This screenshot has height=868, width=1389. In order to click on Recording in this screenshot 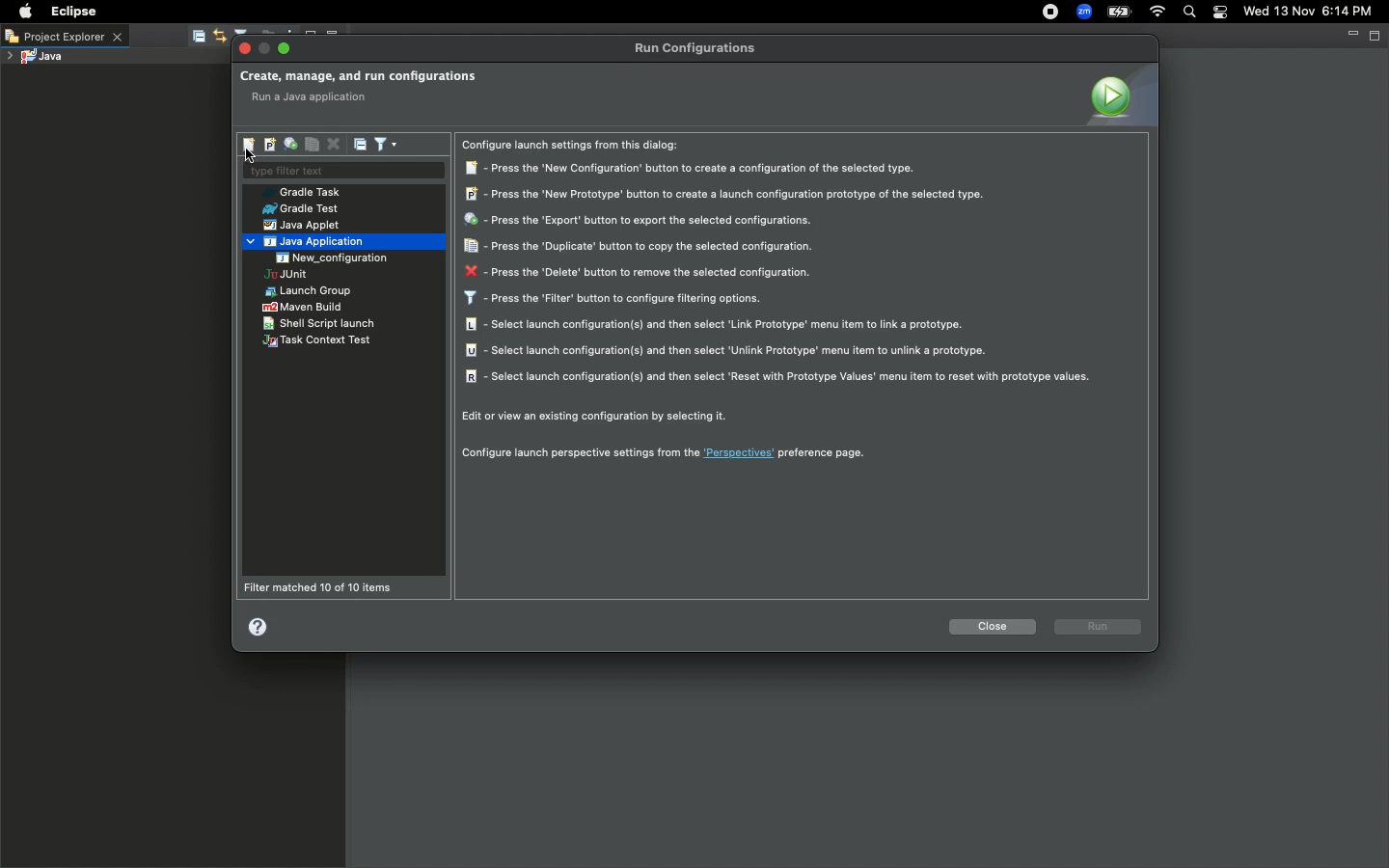, I will do `click(1049, 12)`.